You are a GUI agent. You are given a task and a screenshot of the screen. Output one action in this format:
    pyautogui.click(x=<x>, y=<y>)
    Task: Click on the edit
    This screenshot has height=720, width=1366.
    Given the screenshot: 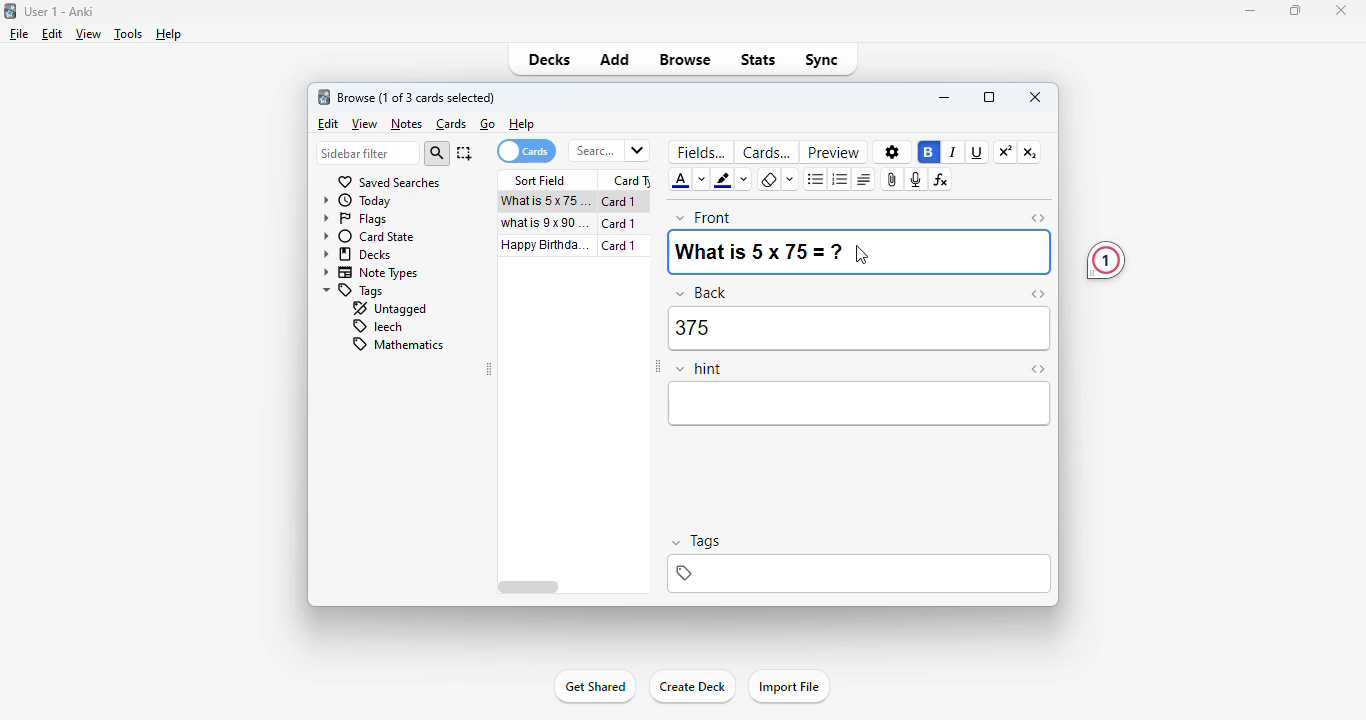 What is the action you would take?
    pyautogui.click(x=53, y=35)
    